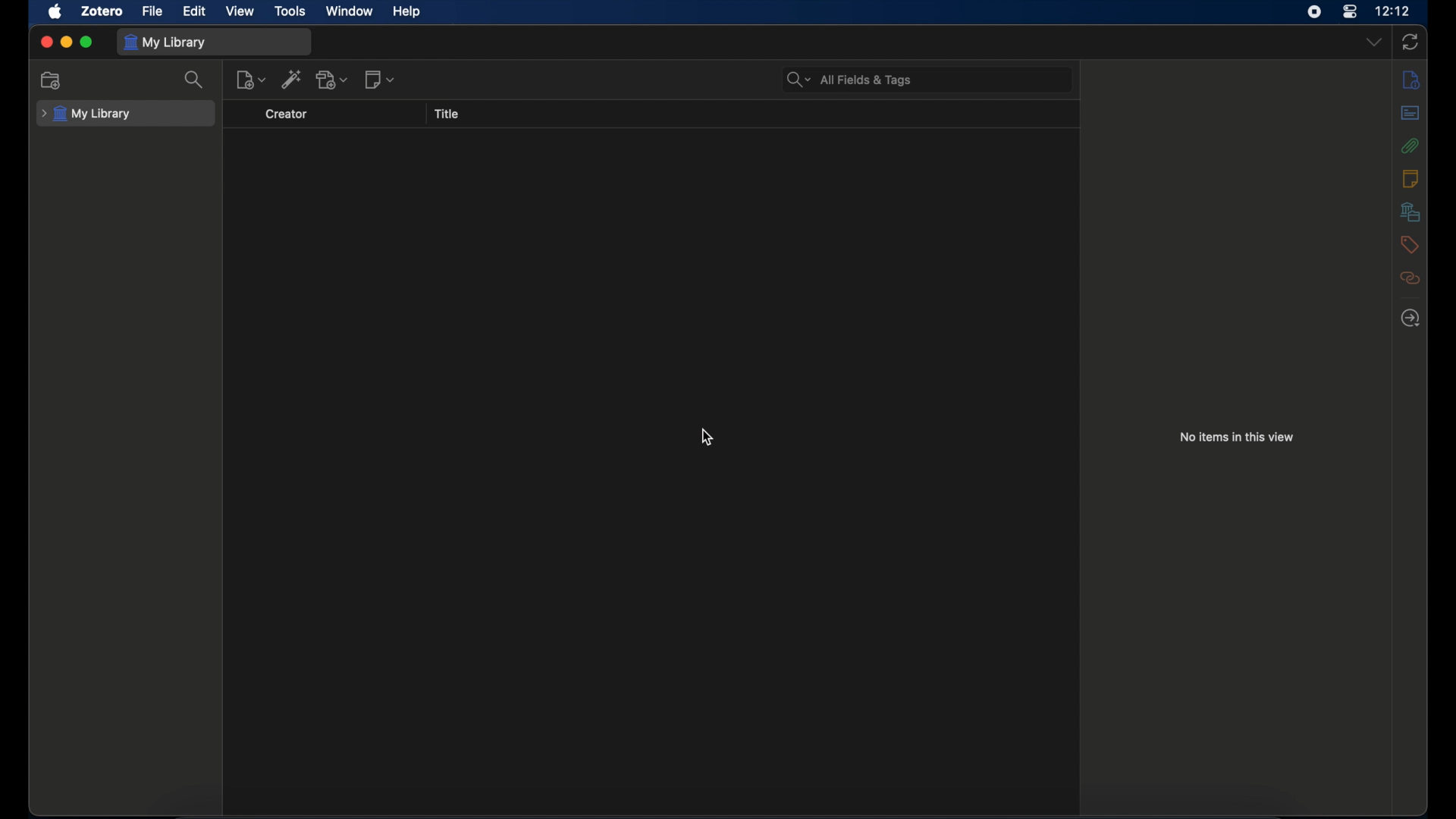 The height and width of the screenshot is (819, 1456). Describe the element at coordinates (86, 115) in the screenshot. I see `my library` at that location.